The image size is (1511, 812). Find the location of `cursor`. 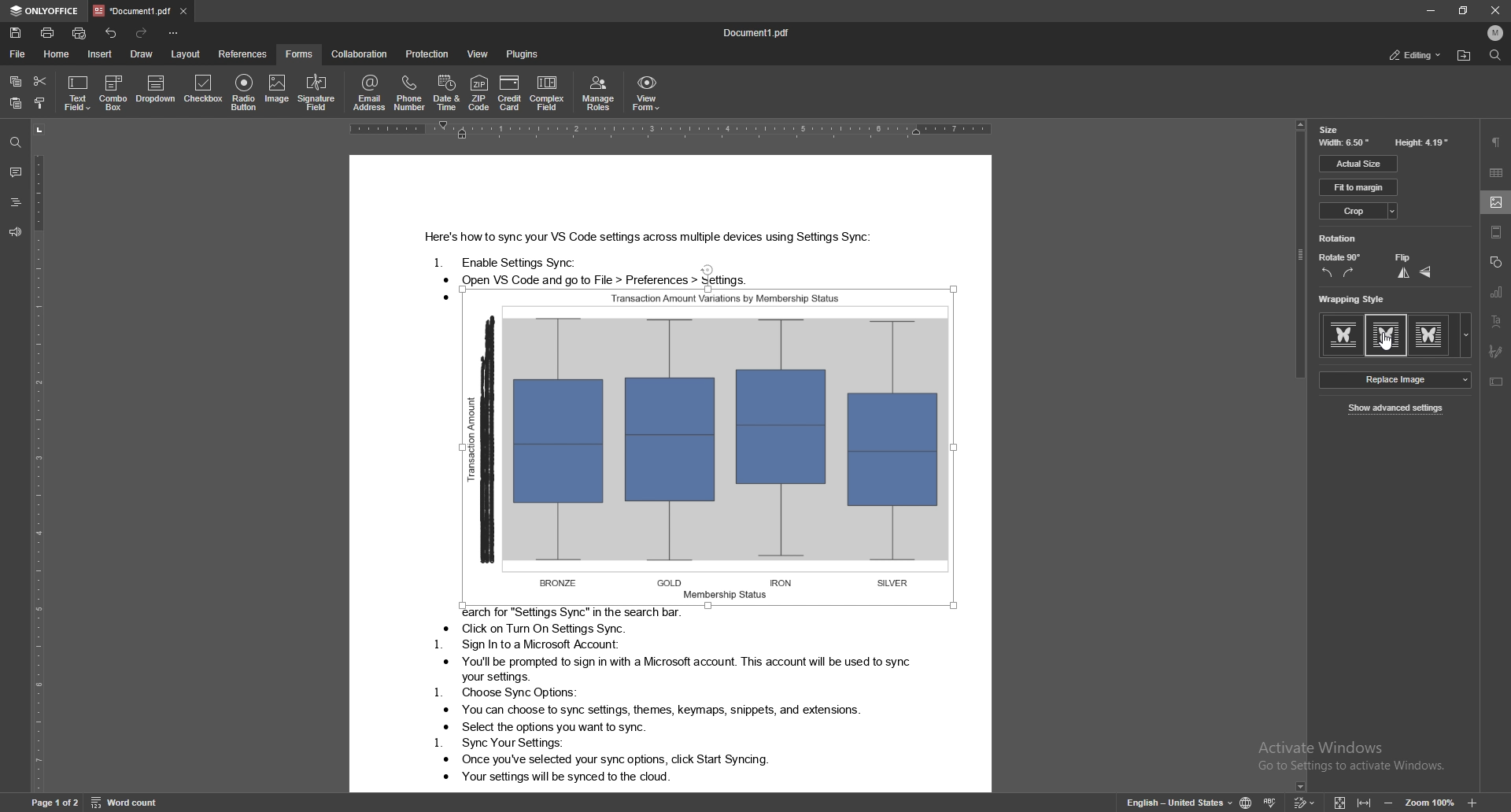

cursor is located at coordinates (1387, 341).